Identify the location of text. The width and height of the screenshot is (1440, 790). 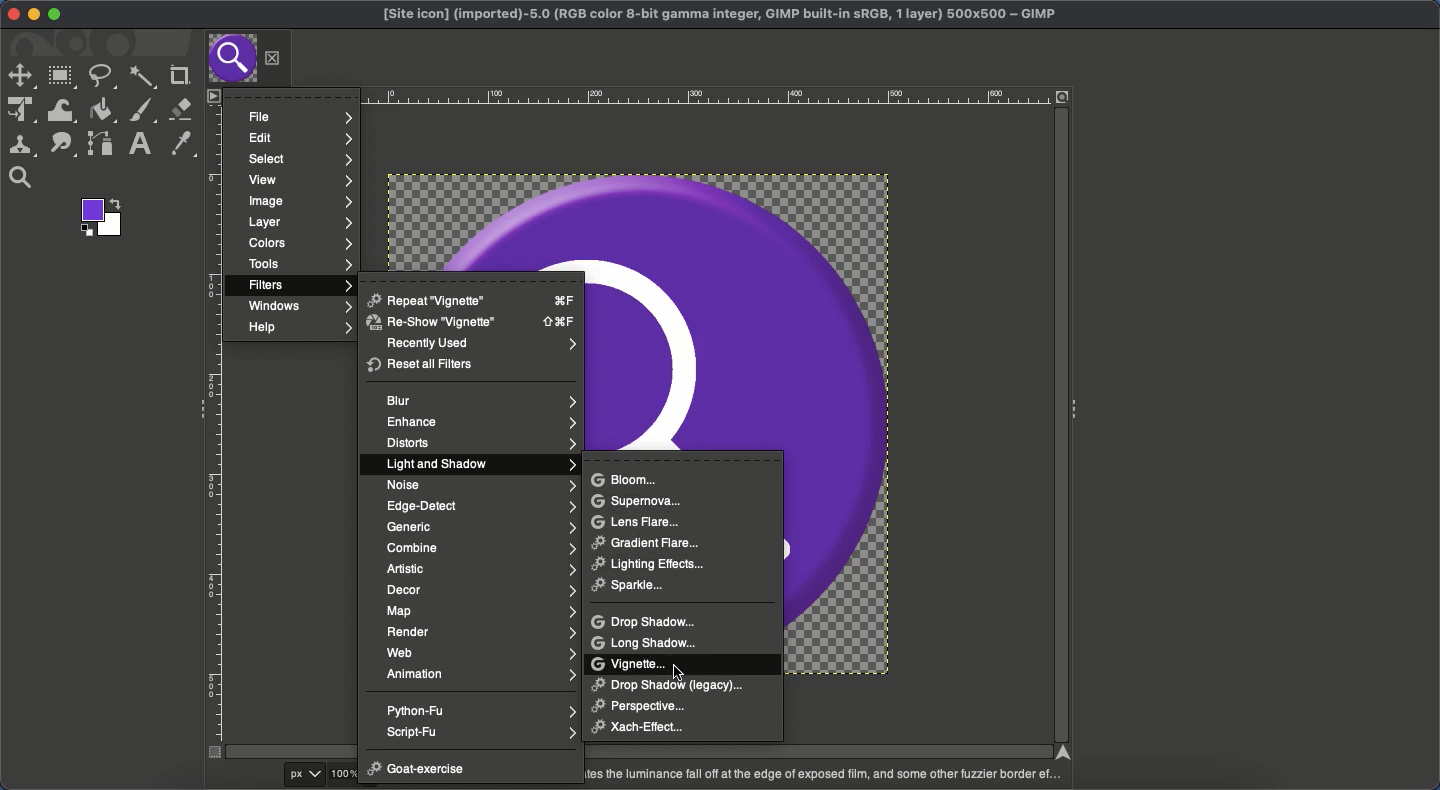
(822, 775).